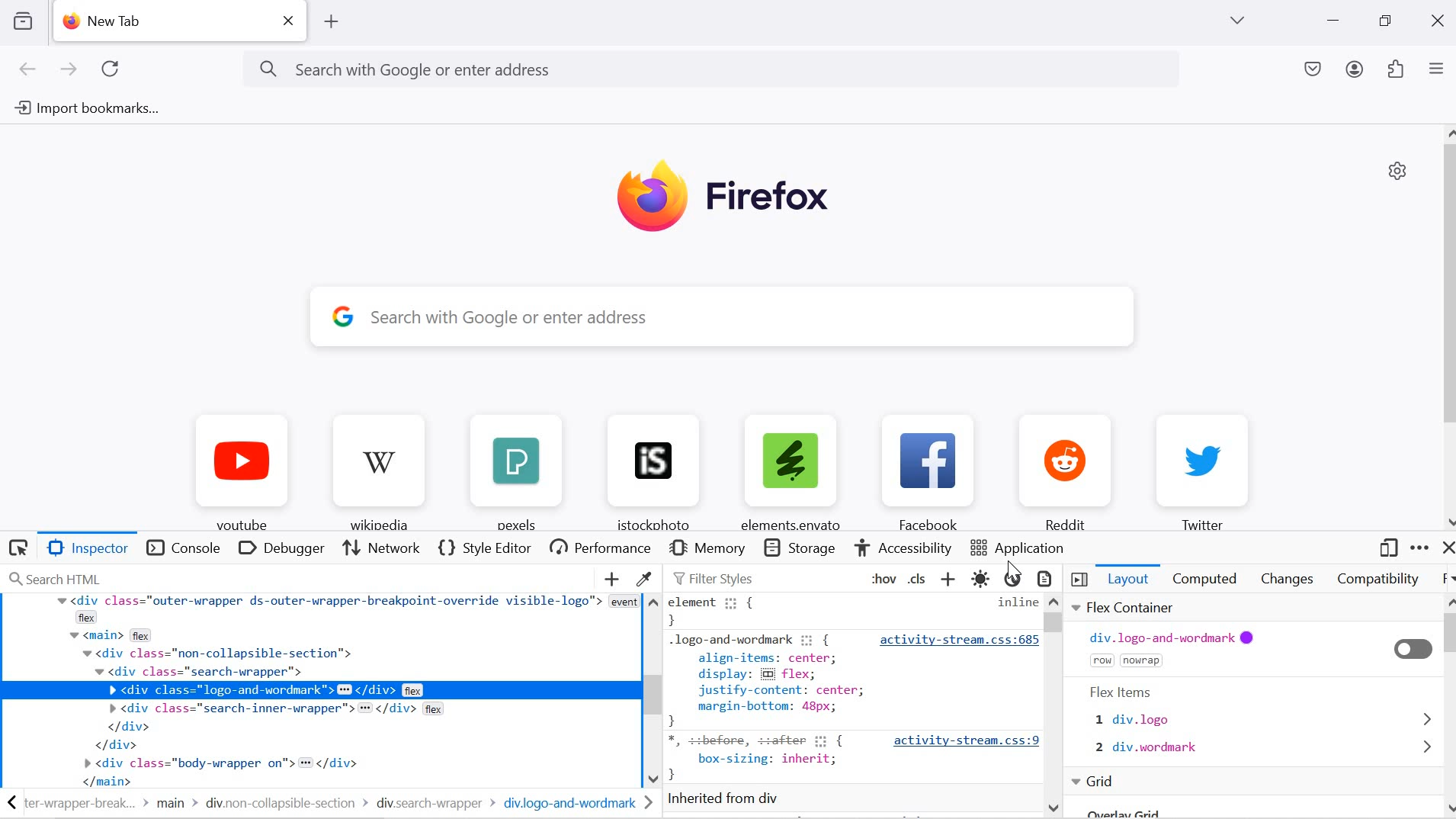 This screenshot has width=1456, height=819. I want to click on restore down, so click(1387, 22).